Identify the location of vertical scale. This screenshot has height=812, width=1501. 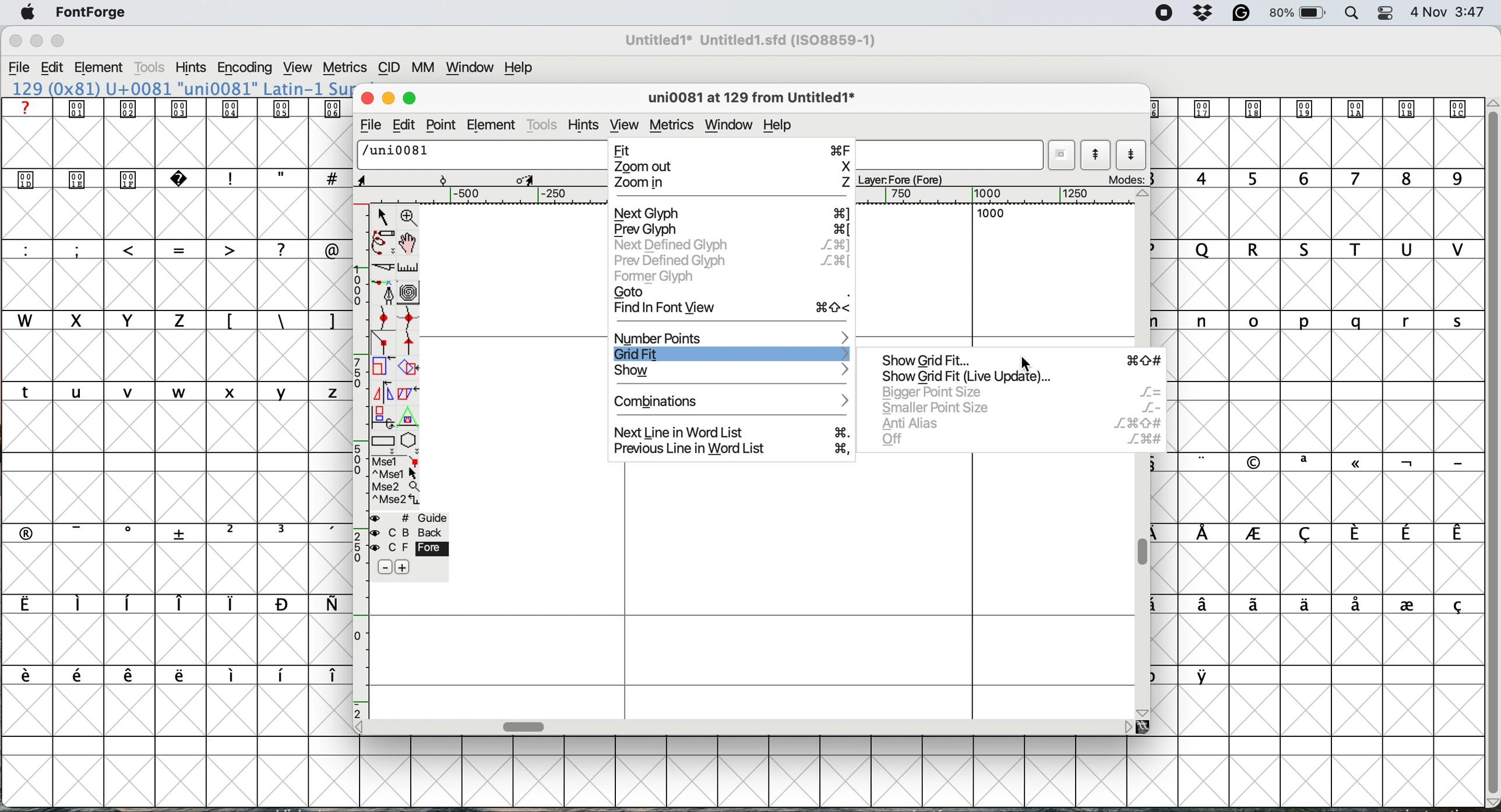
(358, 461).